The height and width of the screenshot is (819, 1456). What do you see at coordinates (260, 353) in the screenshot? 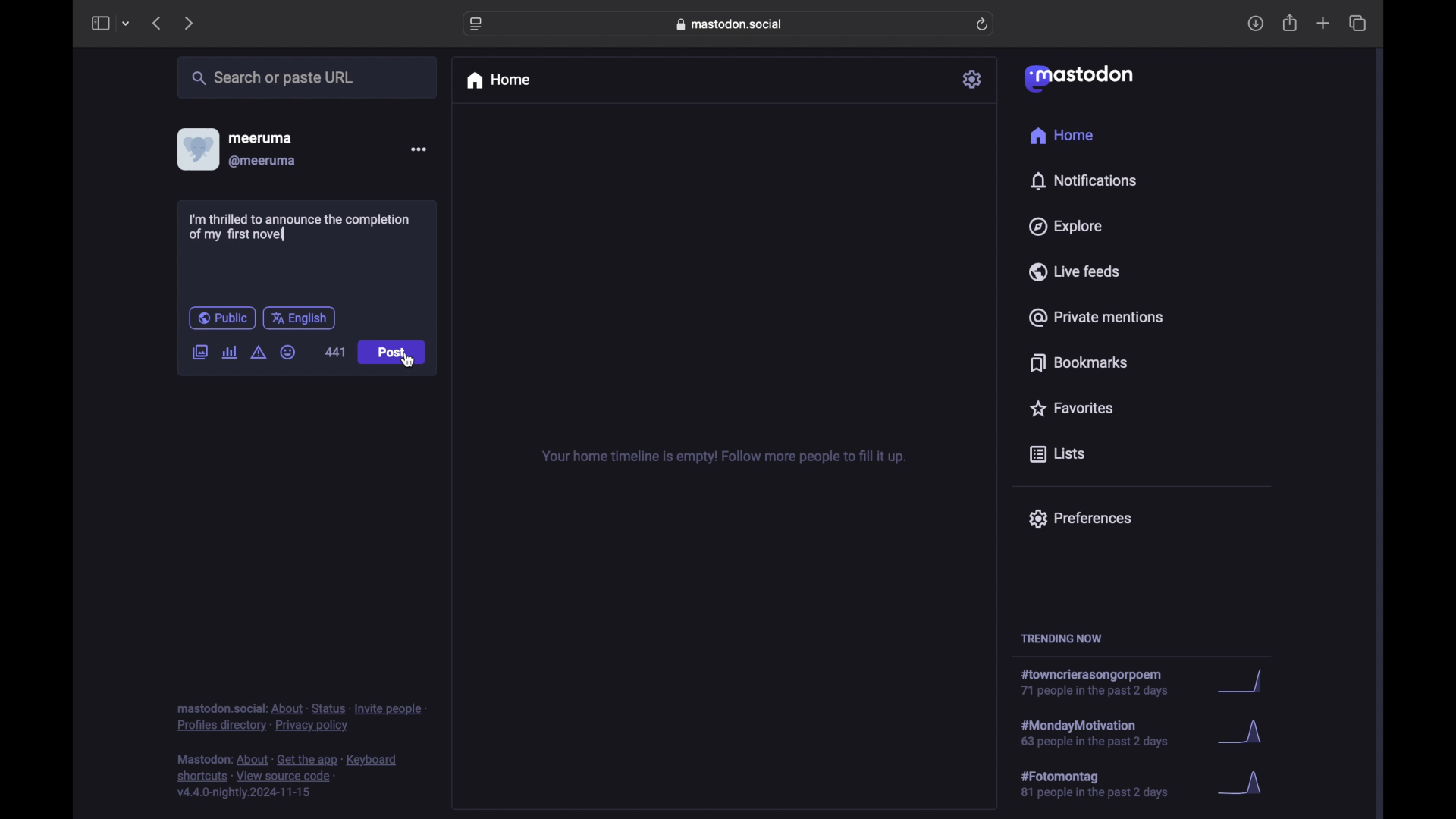
I see `add content warning` at bounding box center [260, 353].